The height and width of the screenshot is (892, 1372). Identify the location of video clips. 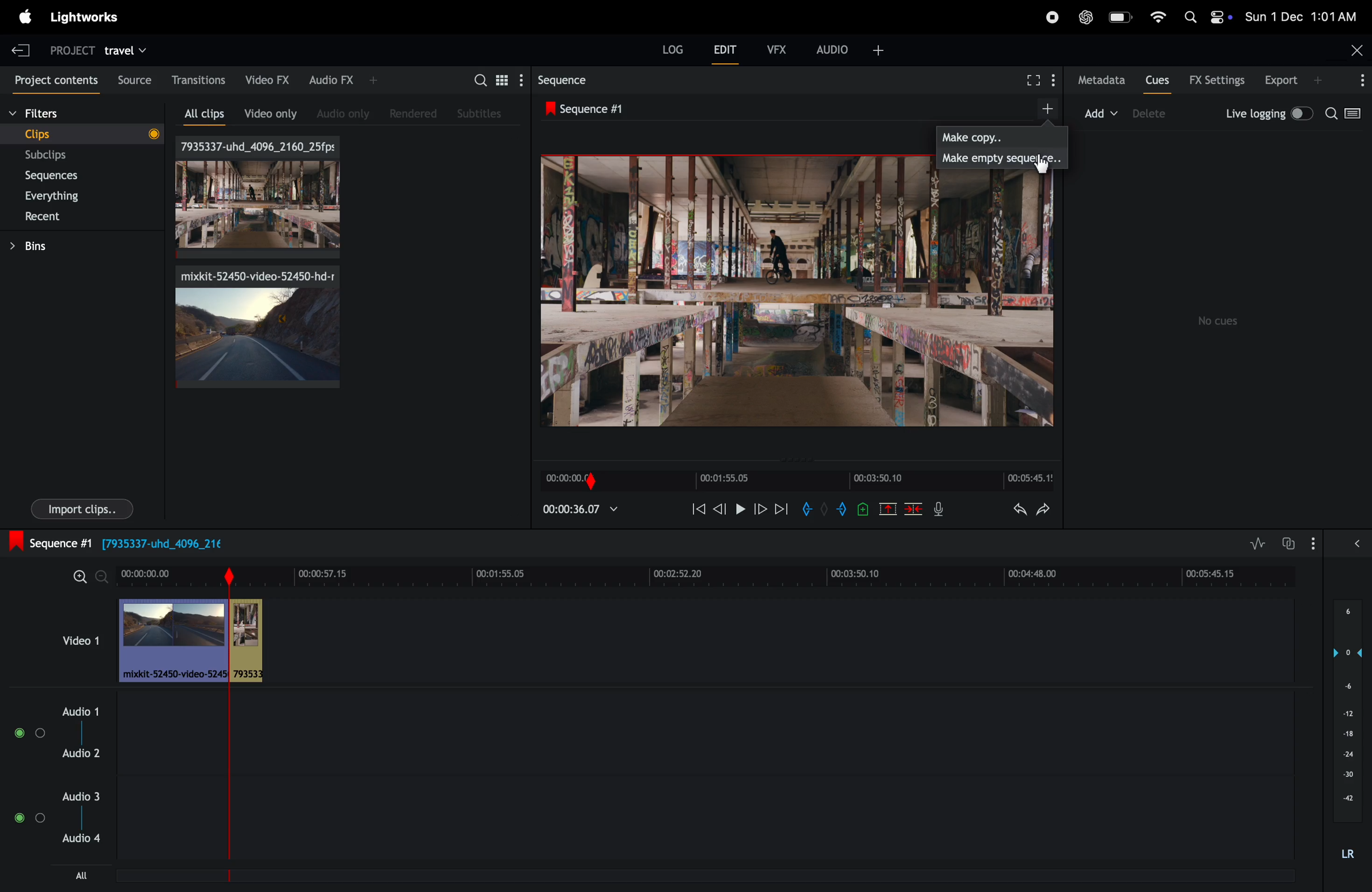
(258, 327).